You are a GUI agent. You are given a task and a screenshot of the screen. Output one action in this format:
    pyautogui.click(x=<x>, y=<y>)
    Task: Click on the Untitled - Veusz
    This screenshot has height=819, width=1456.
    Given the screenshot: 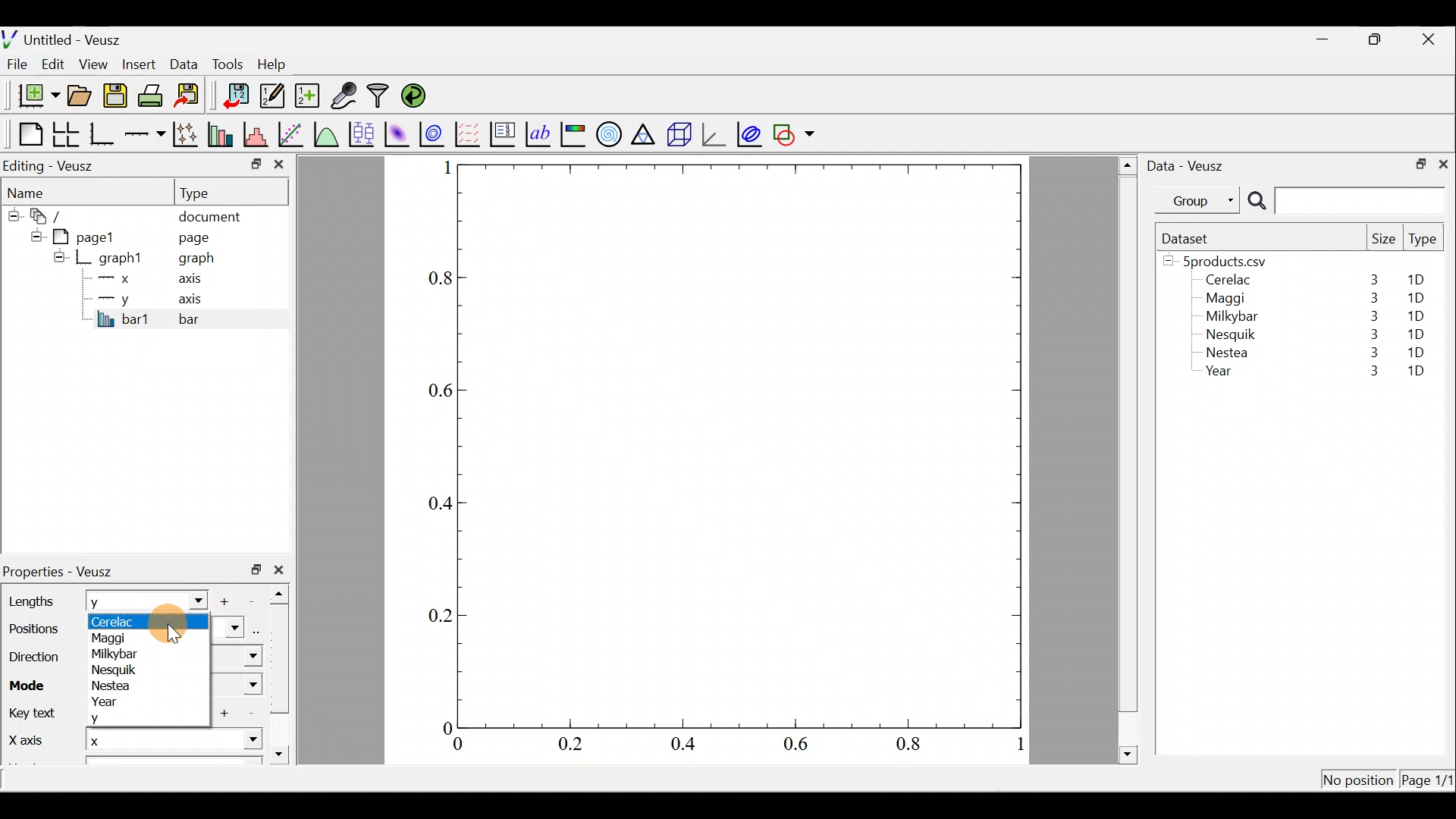 What is the action you would take?
    pyautogui.click(x=67, y=37)
    